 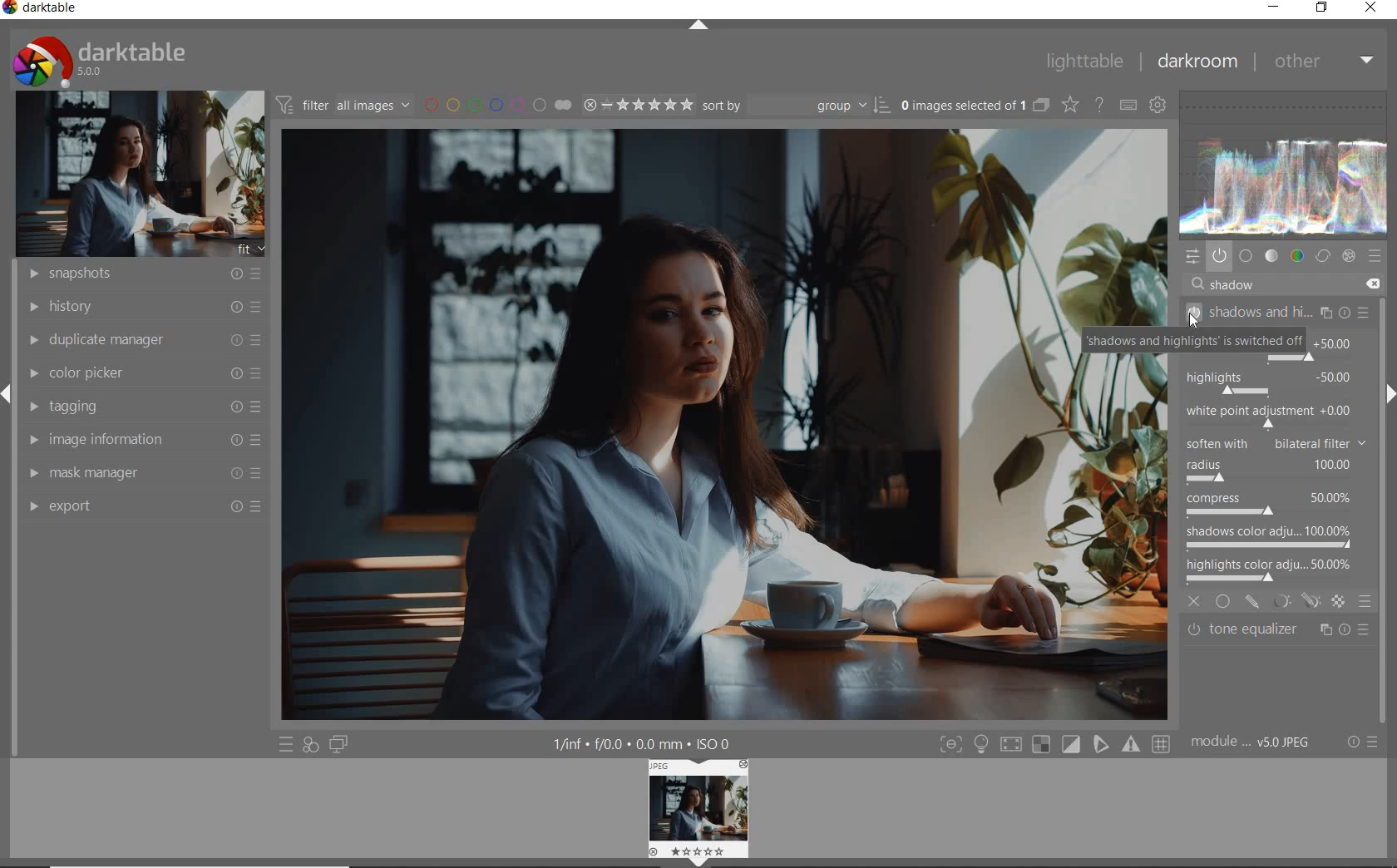 I want to click on base, so click(x=1246, y=255).